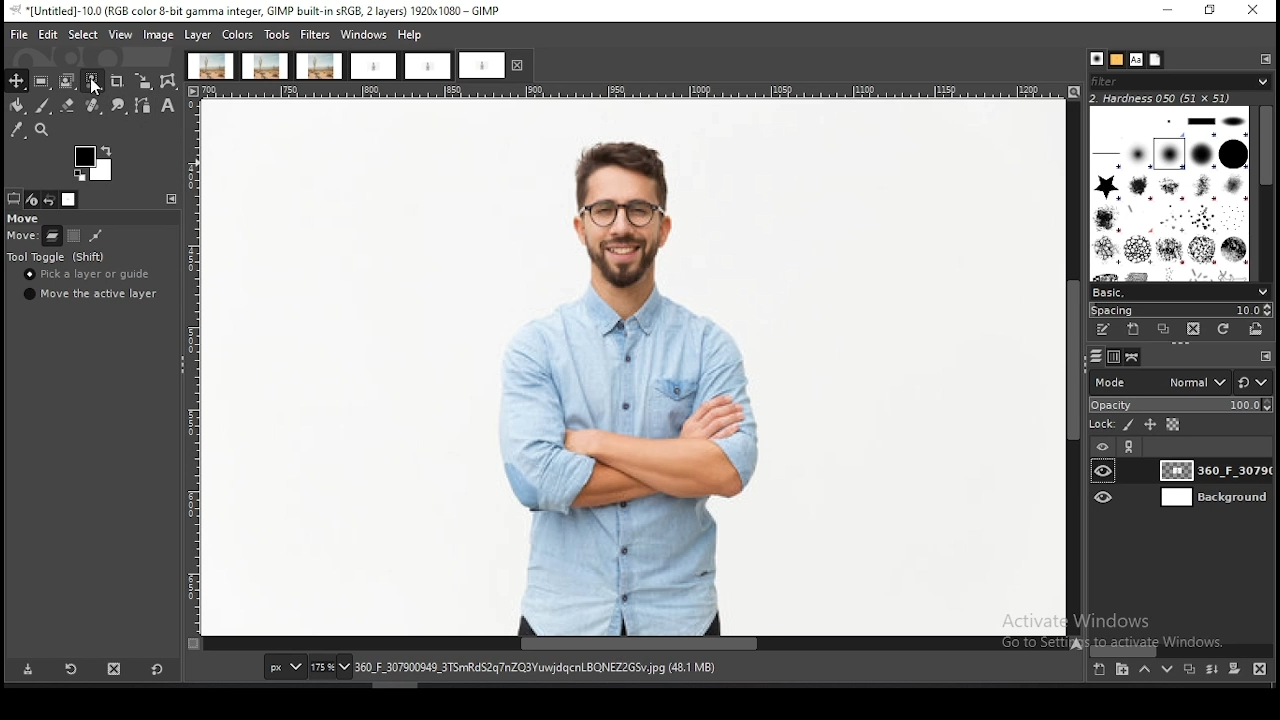 Image resolution: width=1280 pixels, height=720 pixels. What do you see at coordinates (1116, 357) in the screenshot?
I see `channels` at bounding box center [1116, 357].